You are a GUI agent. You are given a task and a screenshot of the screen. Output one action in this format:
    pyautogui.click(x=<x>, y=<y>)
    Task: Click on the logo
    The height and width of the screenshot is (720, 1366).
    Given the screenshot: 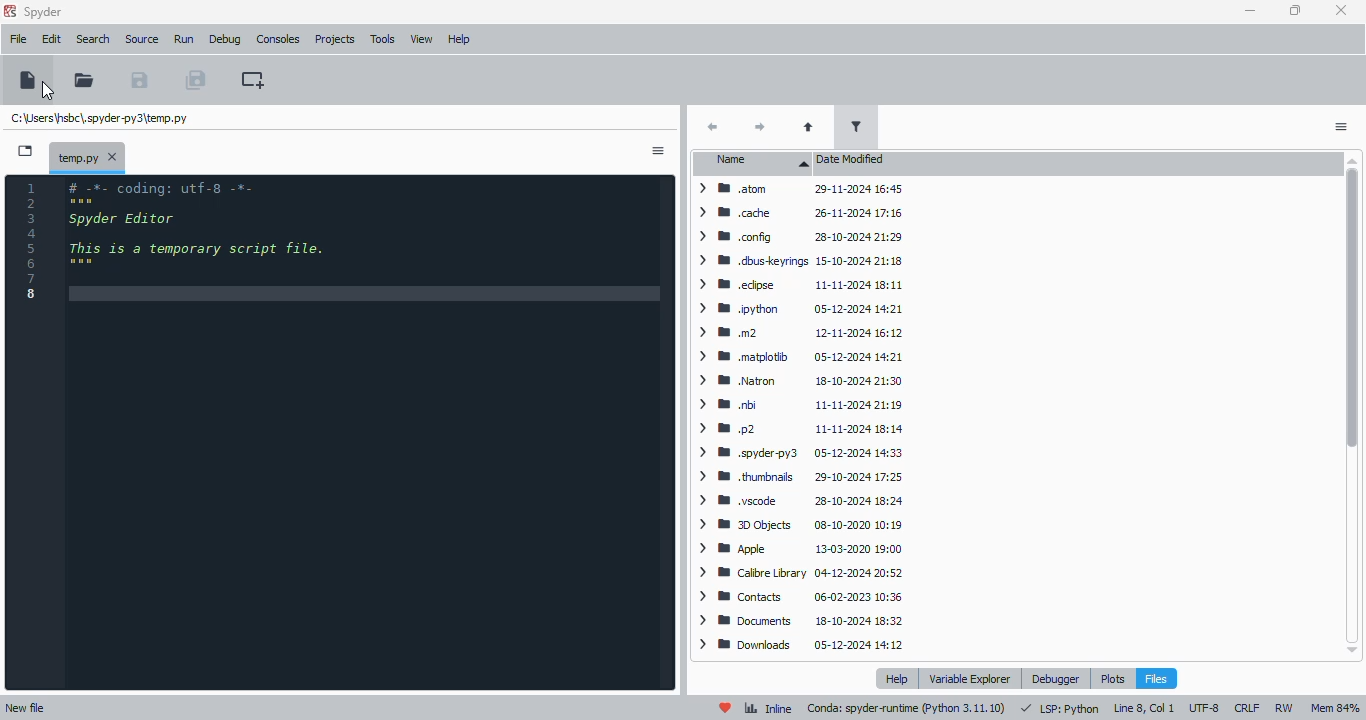 What is the action you would take?
    pyautogui.click(x=9, y=11)
    